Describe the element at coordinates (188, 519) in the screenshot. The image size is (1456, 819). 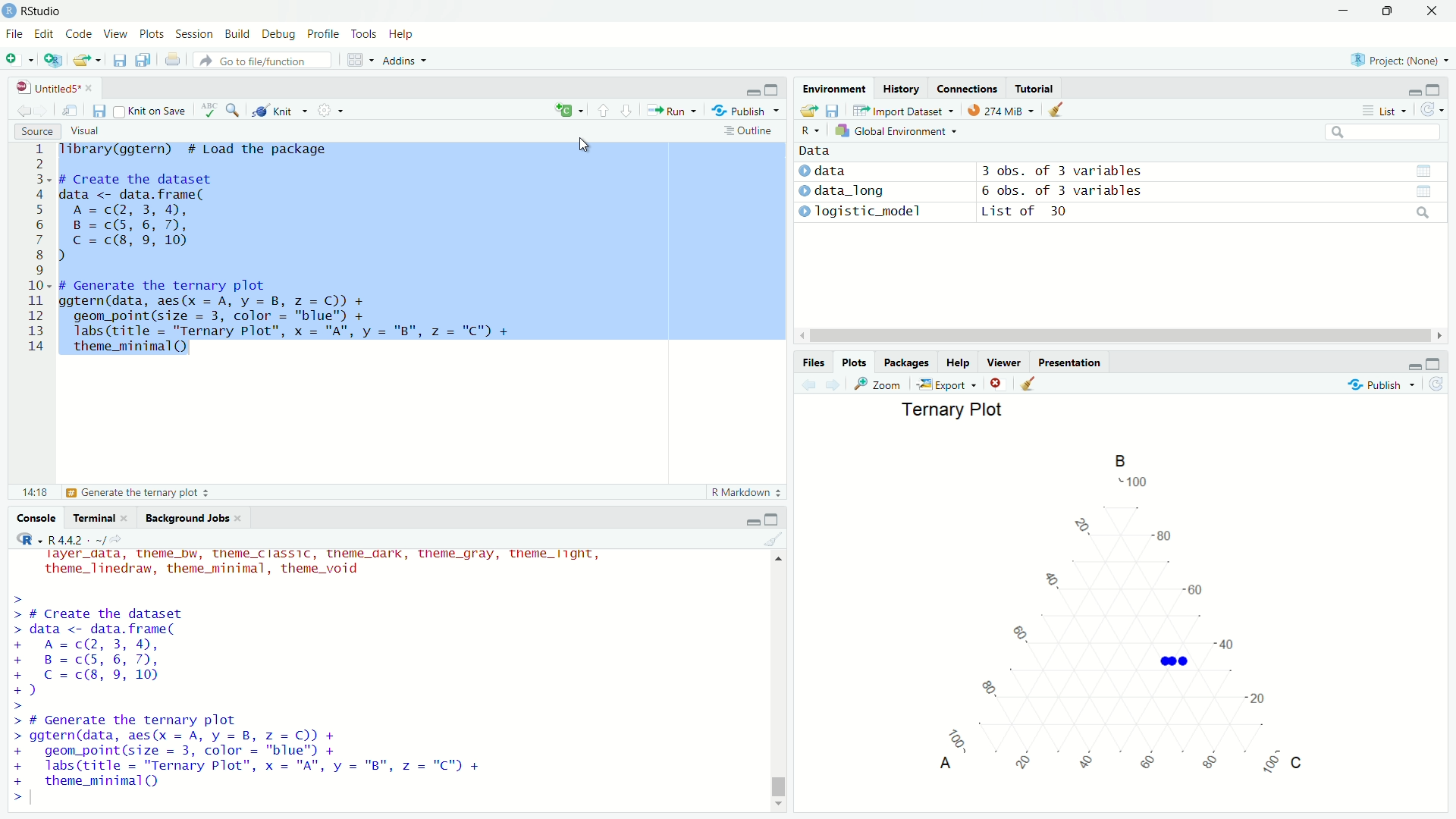
I see `Background Jobs` at that location.